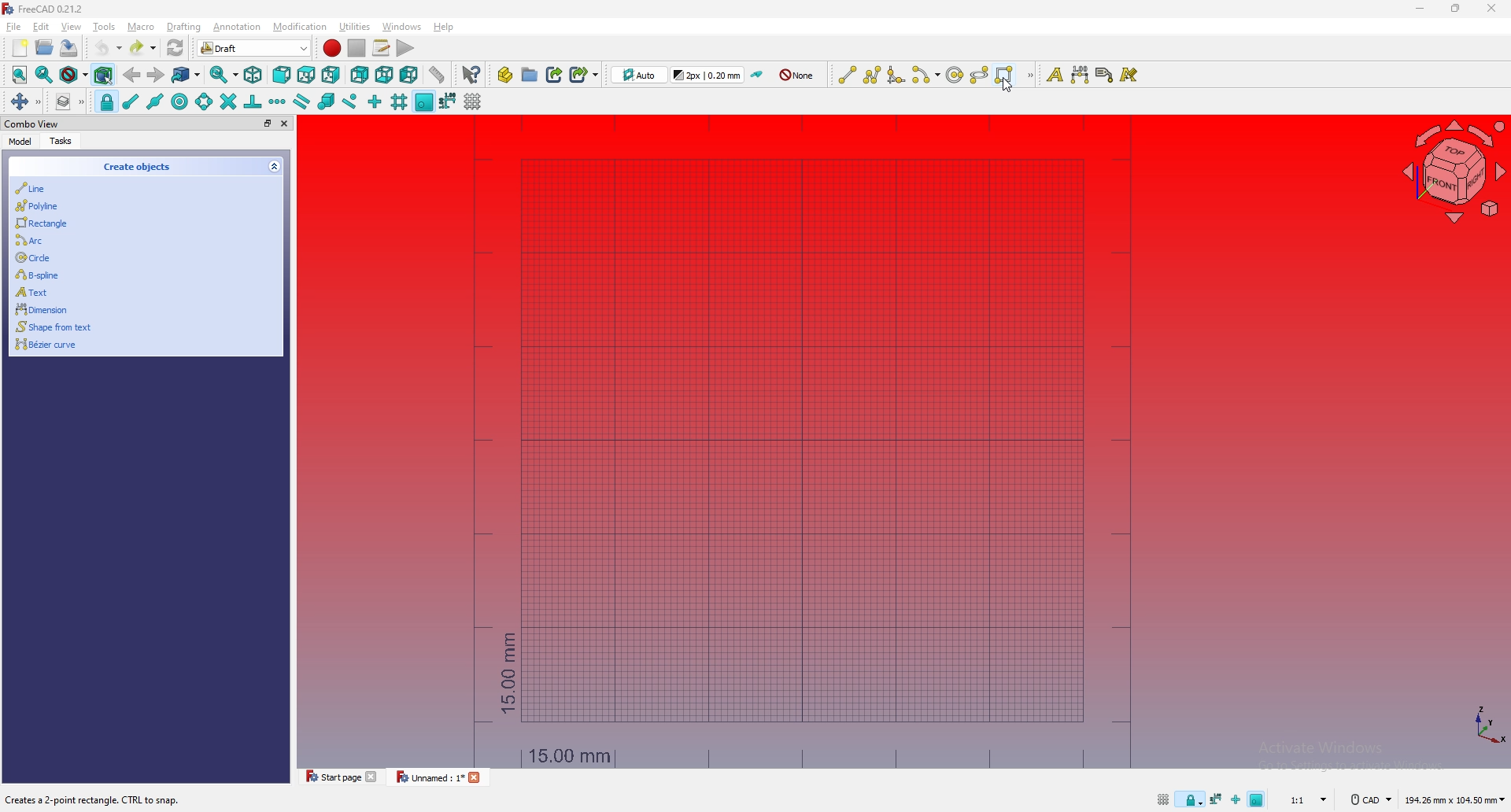  Describe the element at coordinates (73, 76) in the screenshot. I see `draw style` at that location.